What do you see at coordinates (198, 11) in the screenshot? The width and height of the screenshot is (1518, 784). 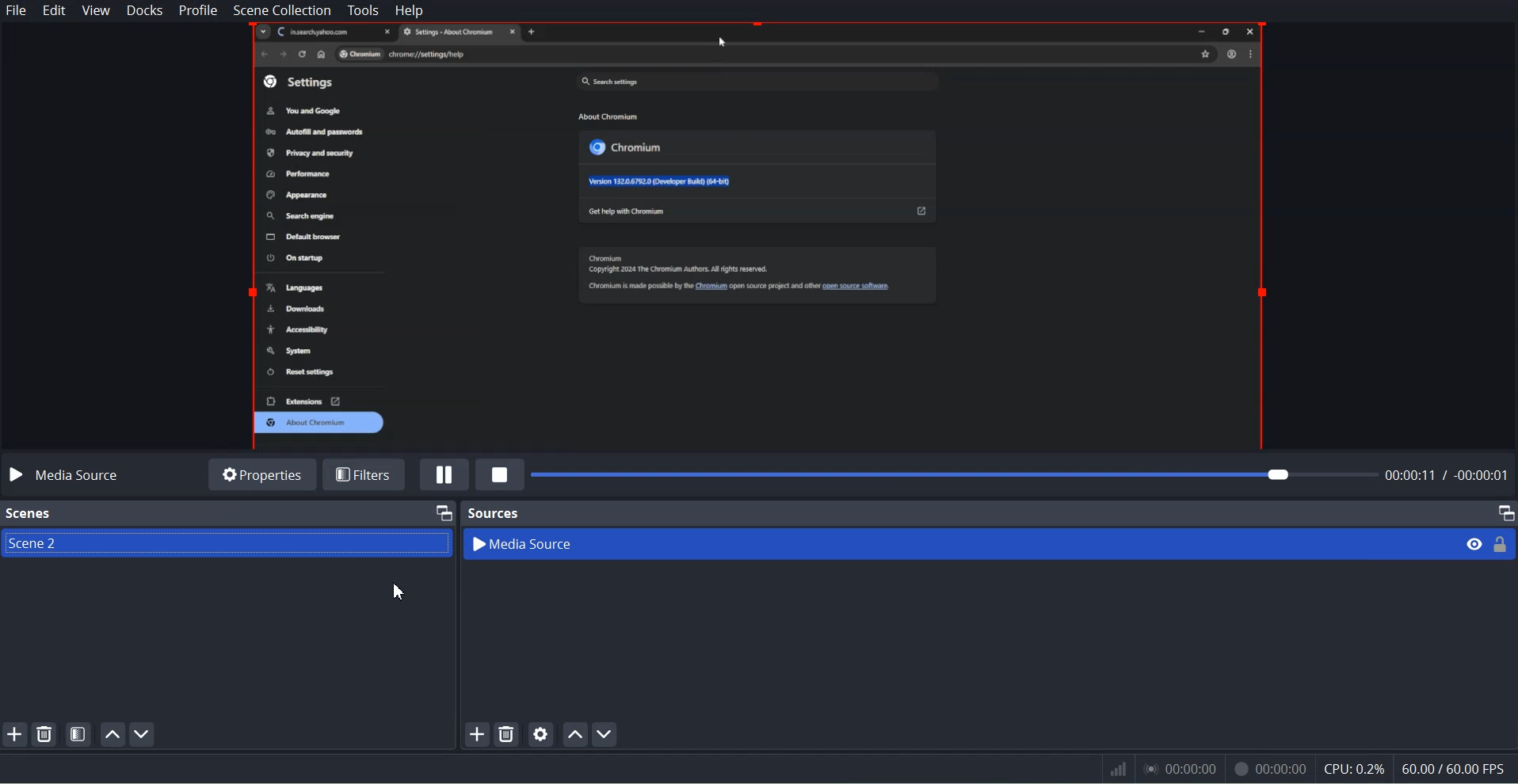 I see `Profile` at bounding box center [198, 11].